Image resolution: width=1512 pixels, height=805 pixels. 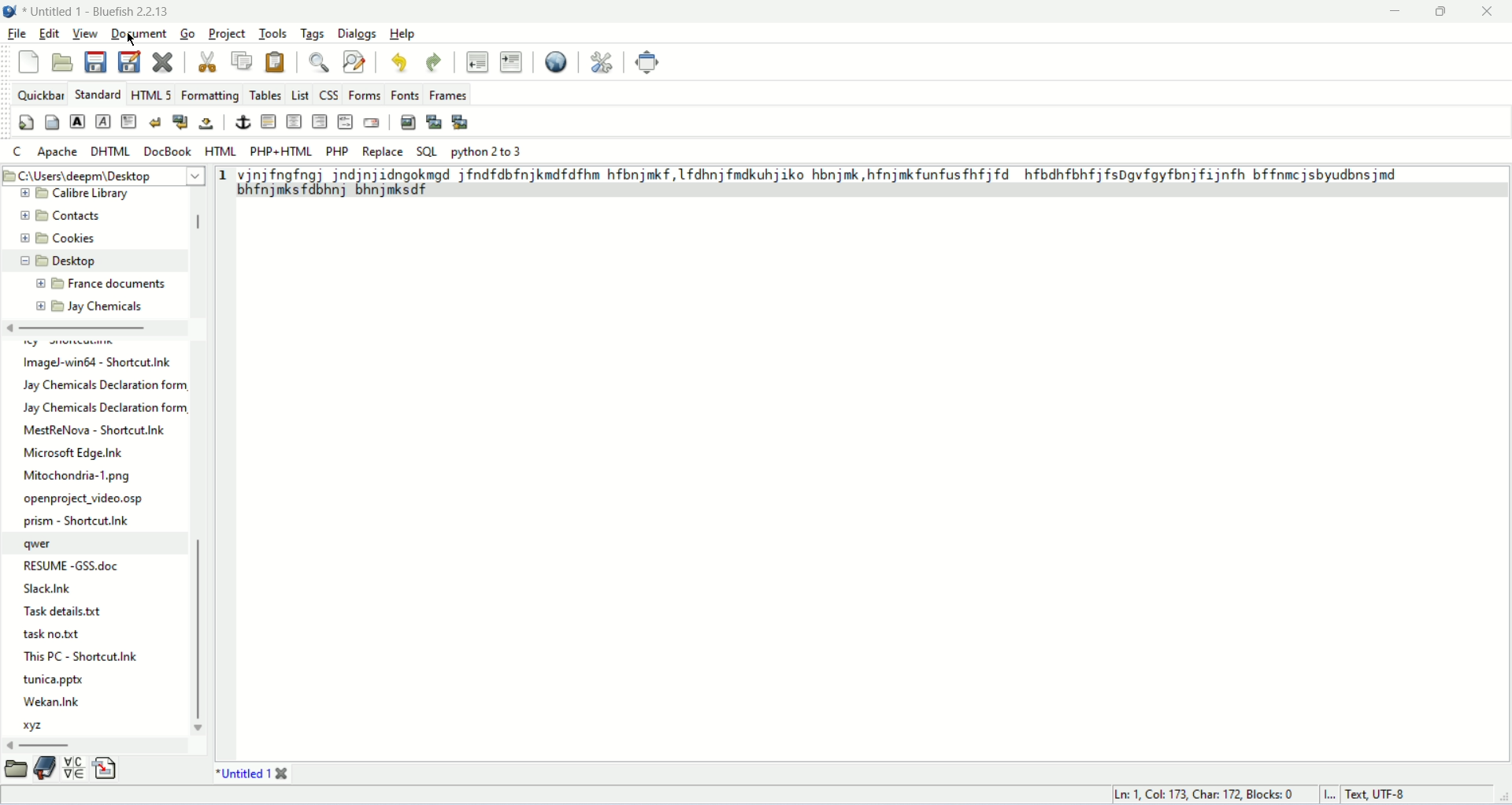 I want to click on Contacts, so click(x=79, y=216).